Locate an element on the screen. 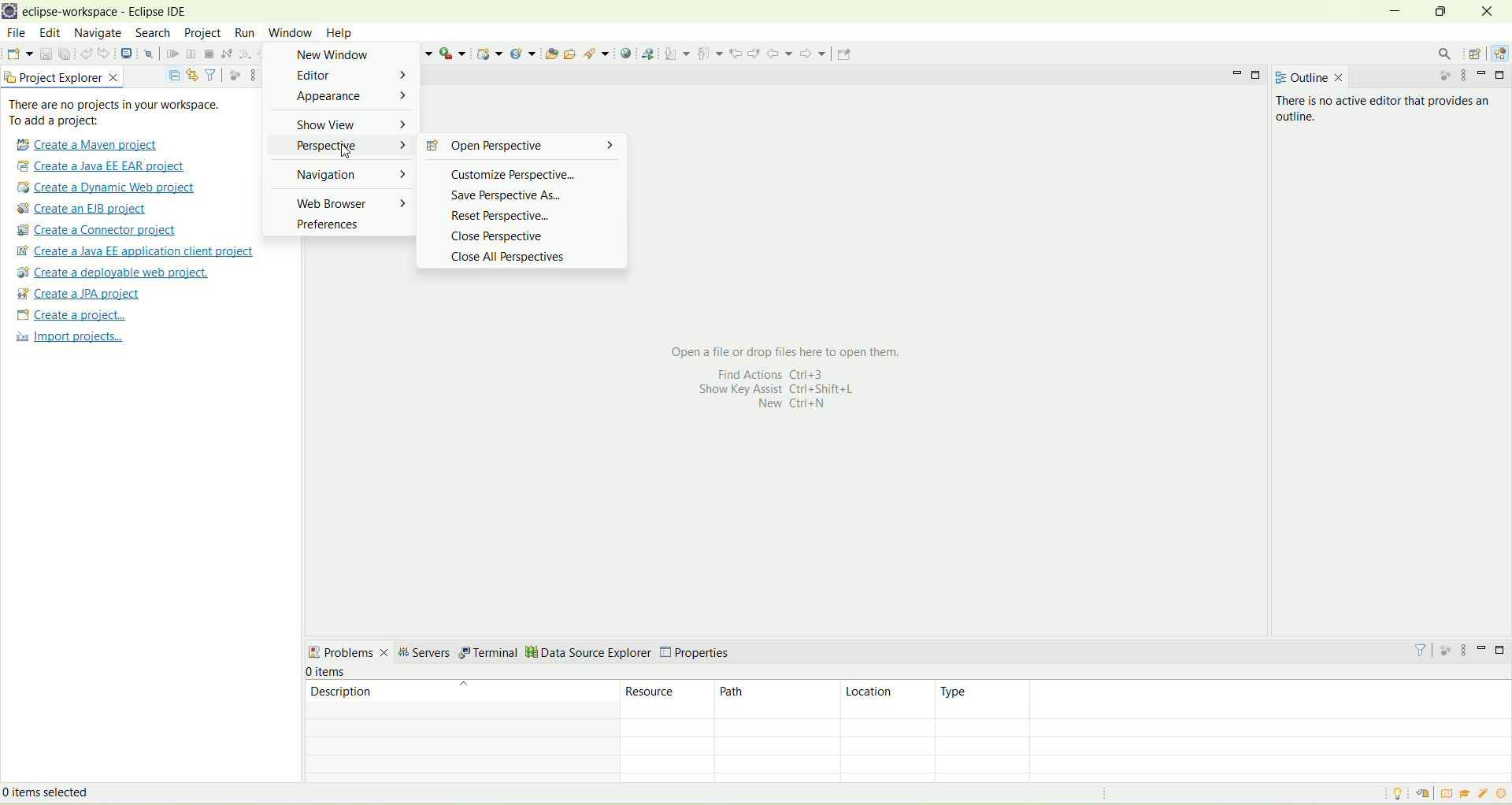  save all is located at coordinates (65, 54).